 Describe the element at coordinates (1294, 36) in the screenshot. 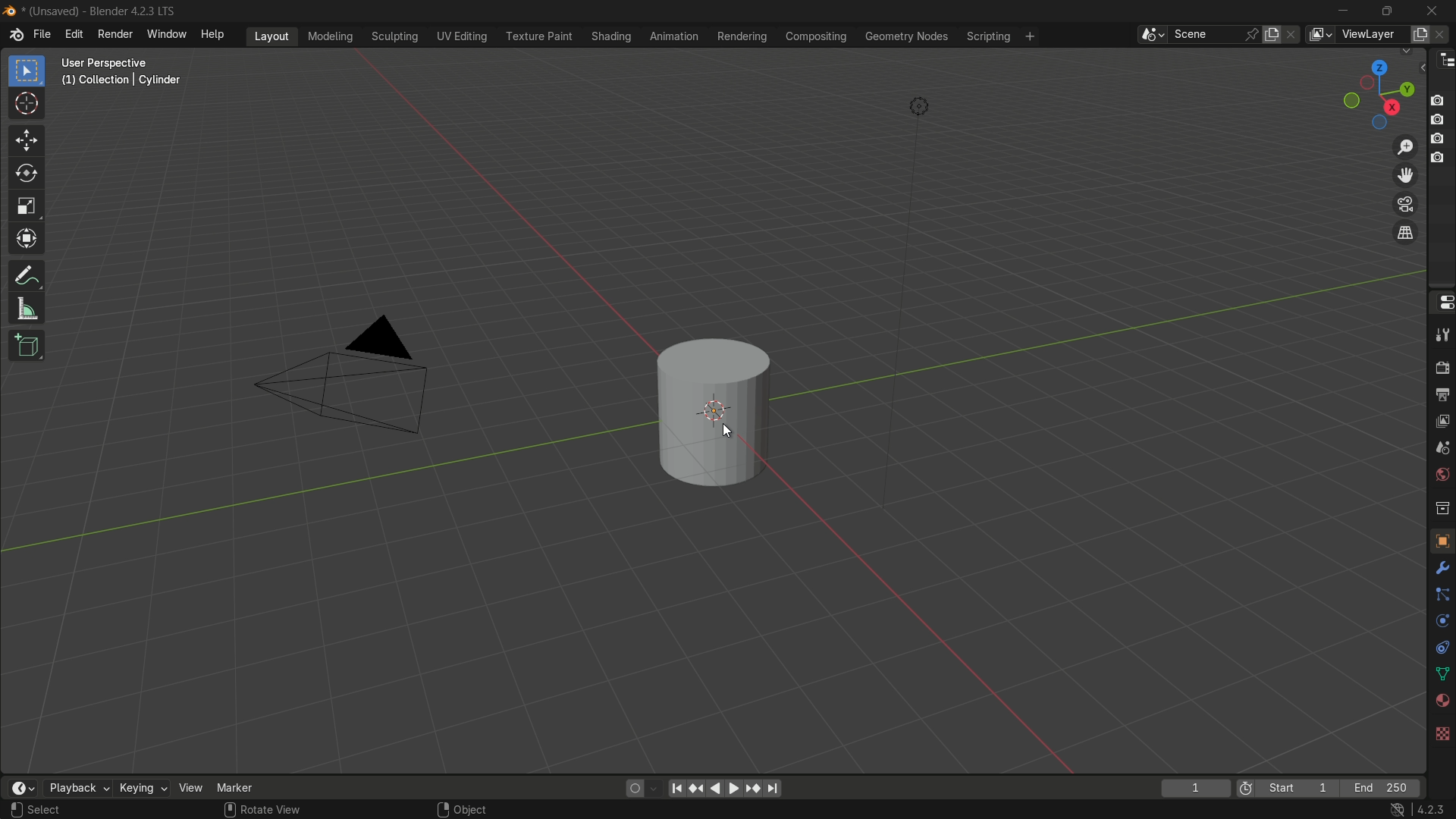

I see `delete scene` at that location.